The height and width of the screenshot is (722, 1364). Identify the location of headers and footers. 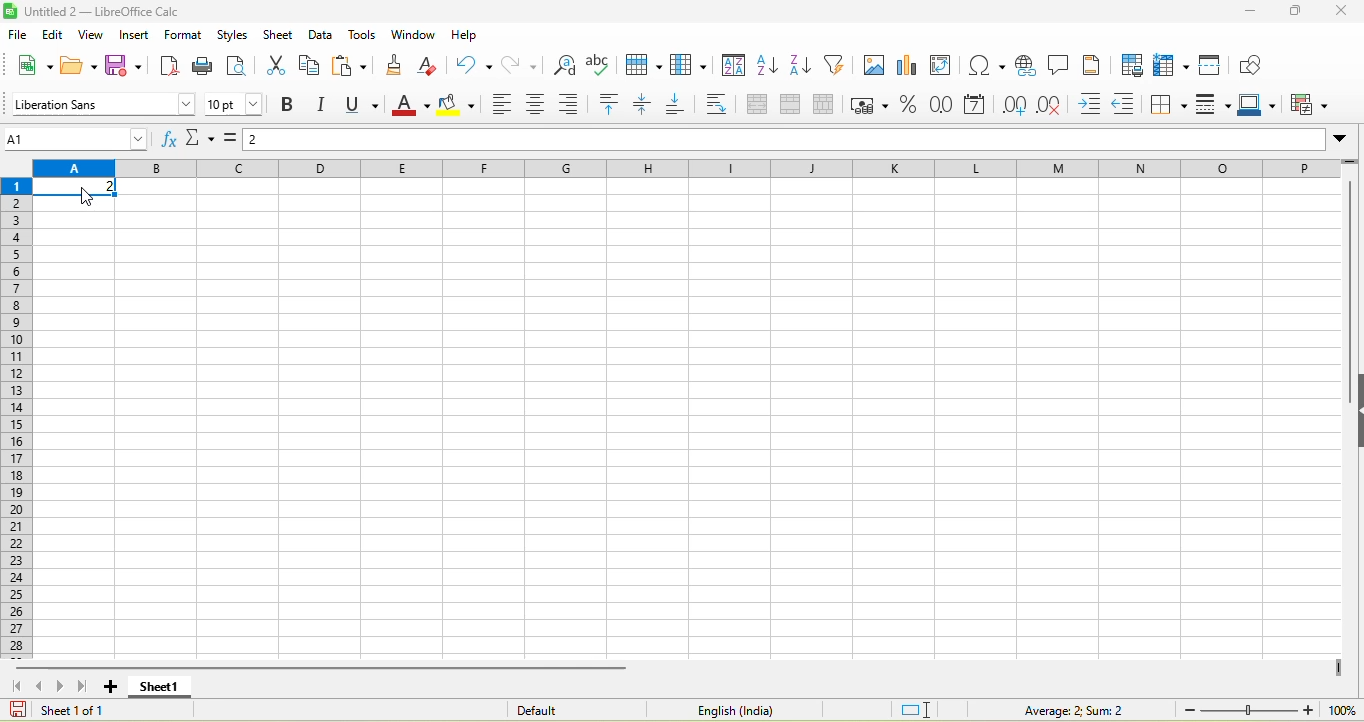
(1097, 65).